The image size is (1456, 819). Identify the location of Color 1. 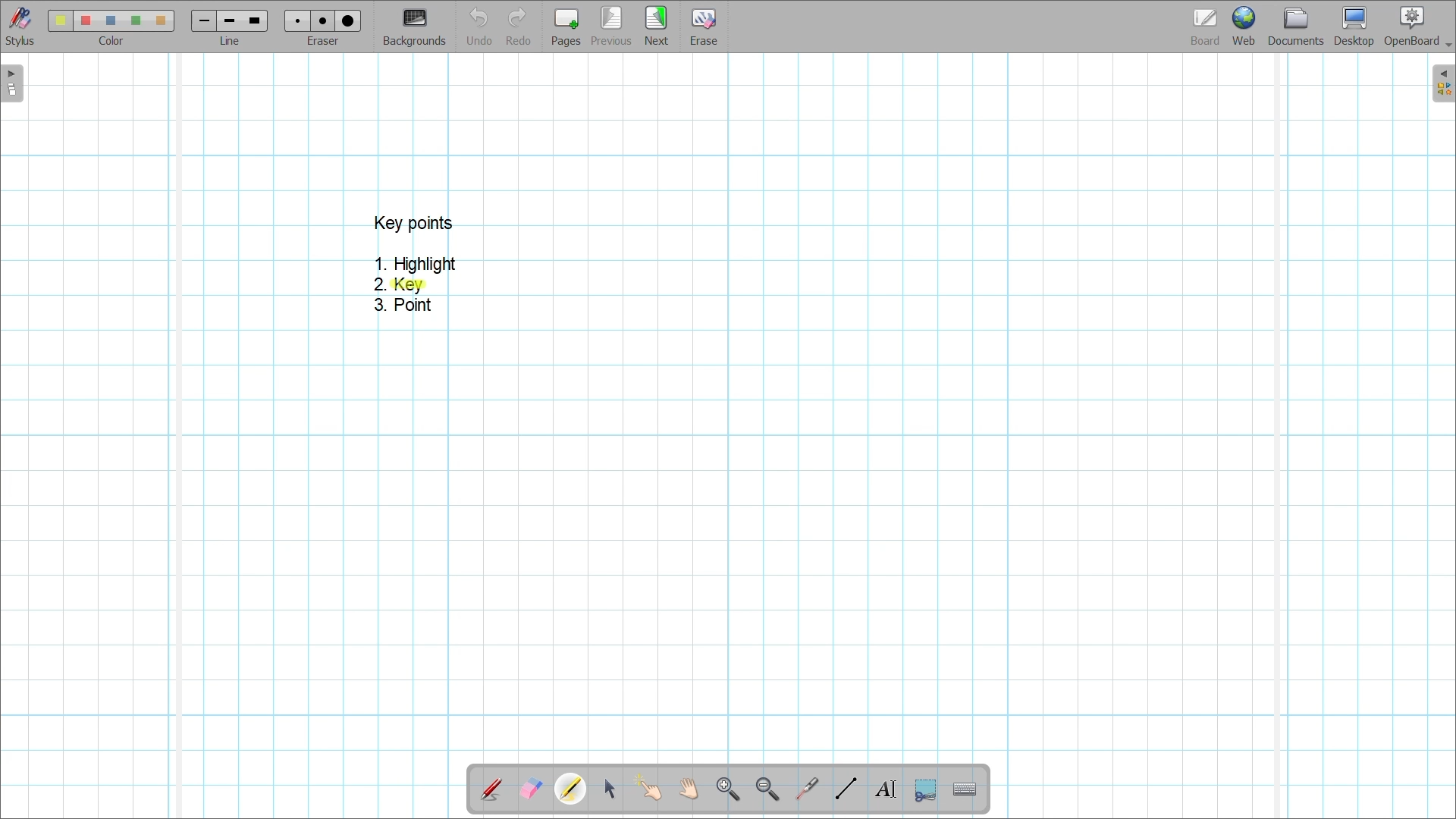
(60, 20).